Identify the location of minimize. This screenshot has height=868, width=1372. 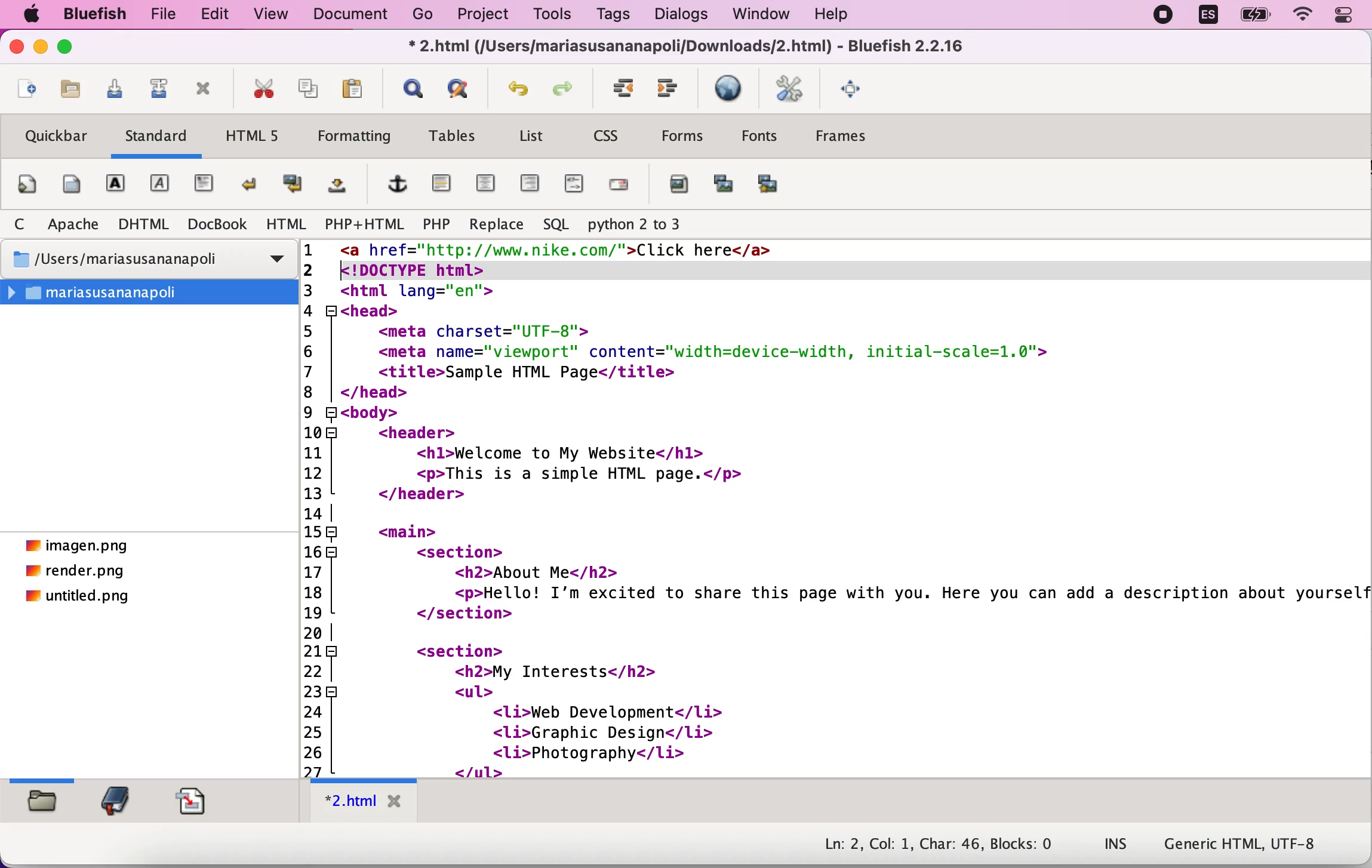
(41, 48).